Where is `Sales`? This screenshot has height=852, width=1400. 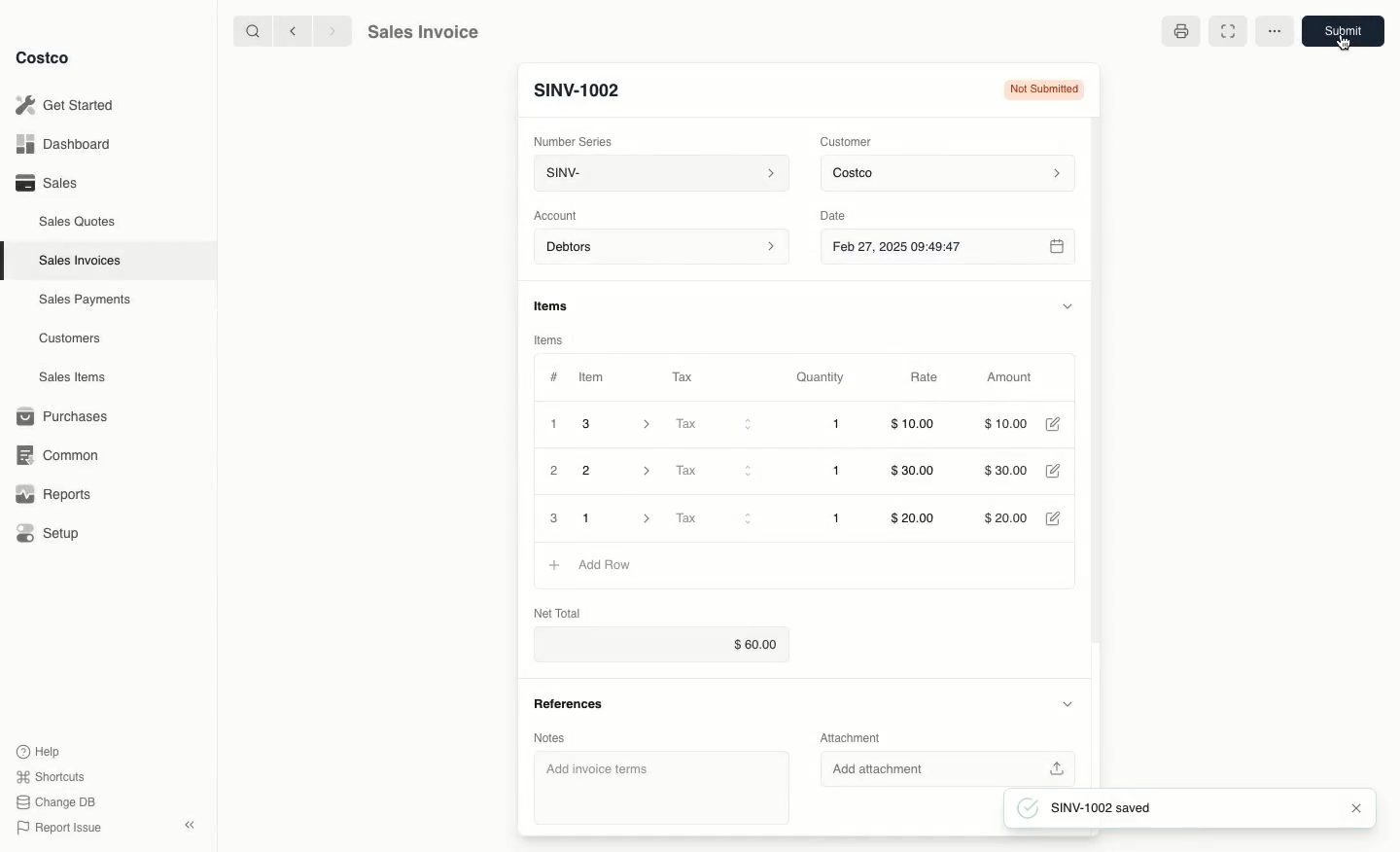
Sales is located at coordinates (45, 182).